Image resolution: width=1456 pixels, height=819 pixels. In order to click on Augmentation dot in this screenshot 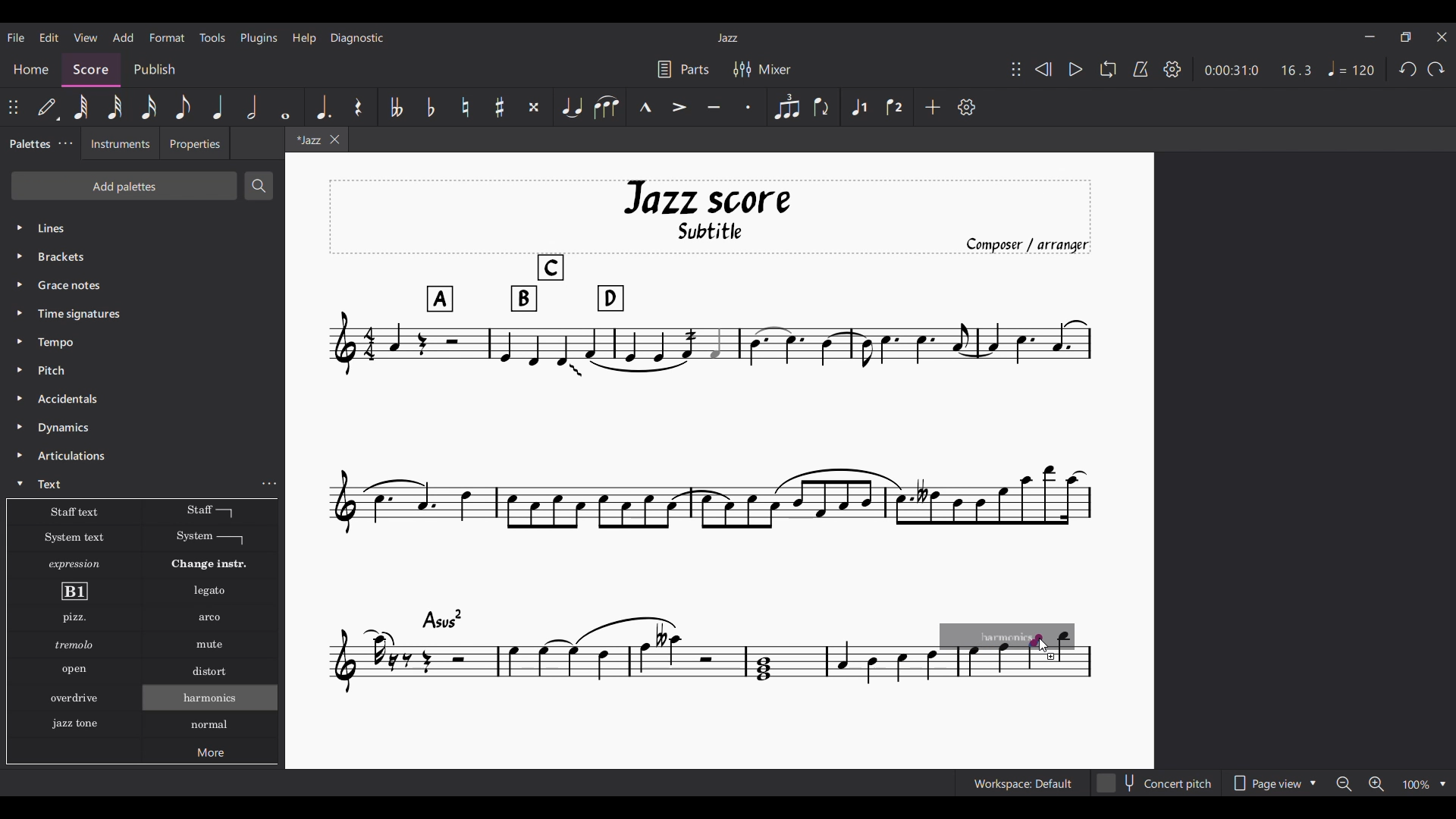, I will do `click(322, 107)`.